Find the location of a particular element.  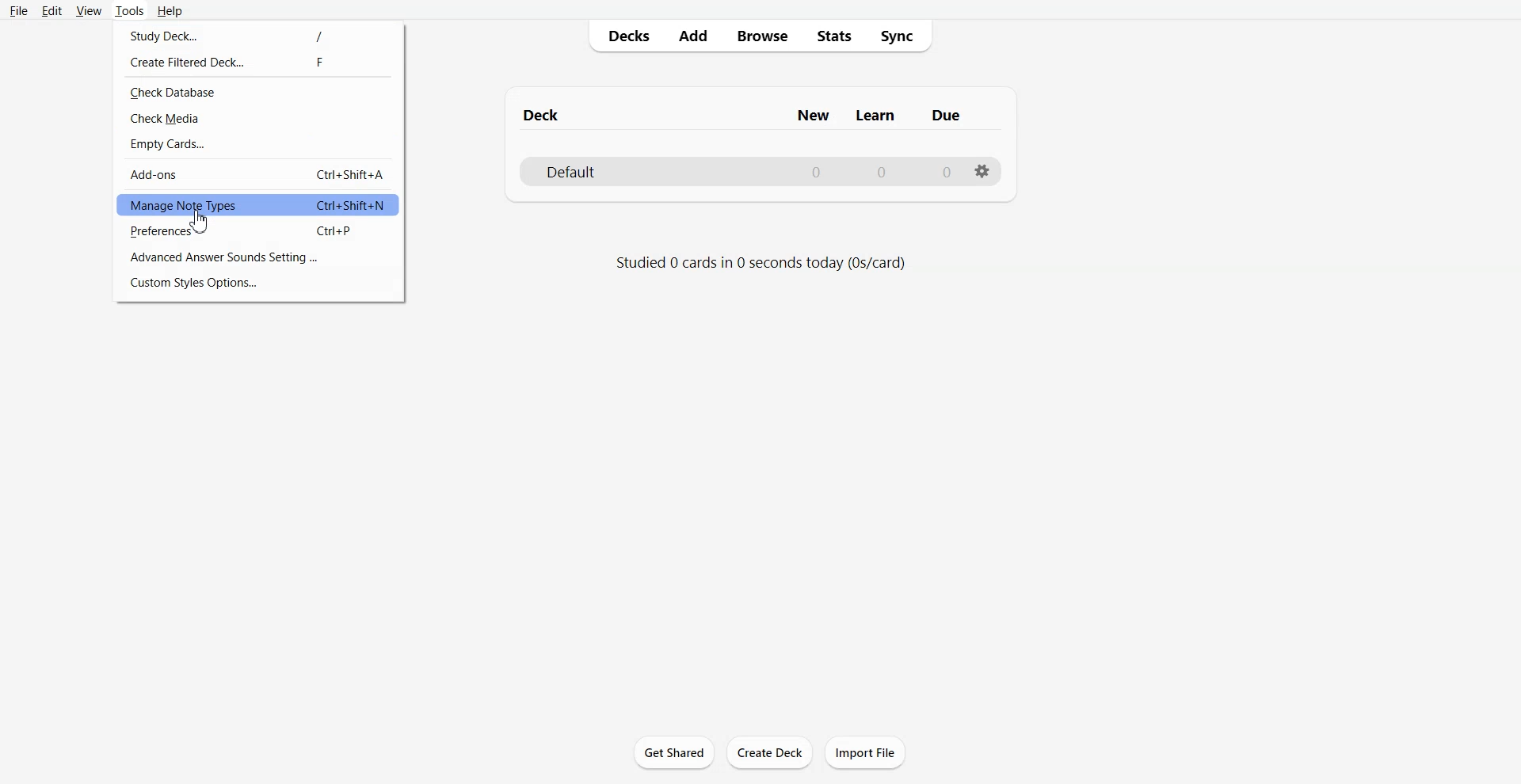

File is located at coordinates (19, 10).